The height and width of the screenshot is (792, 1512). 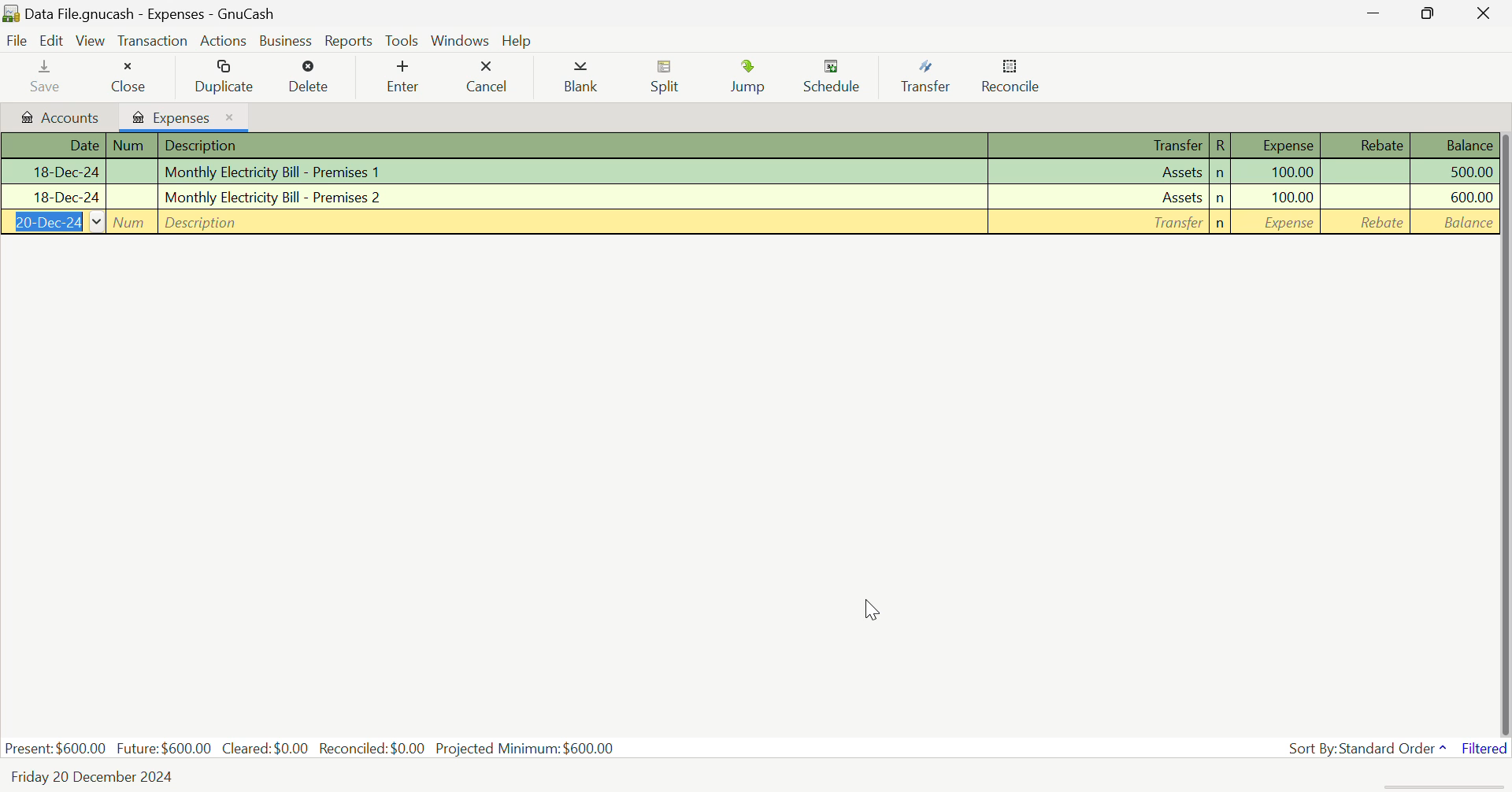 What do you see at coordinates (224, 76) in the screenshot?
I see `Duplicate` at bounding box center [224, 76].